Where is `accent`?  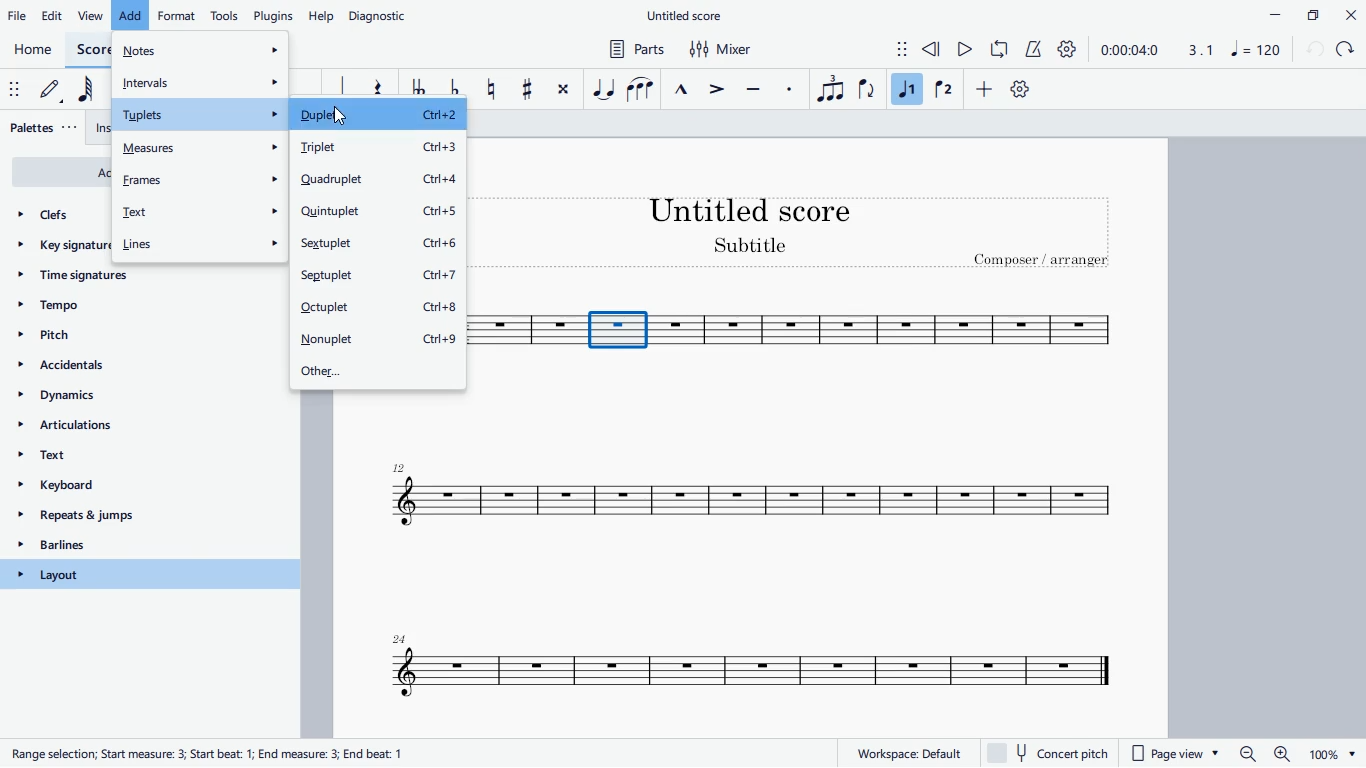 accent is located at coordinates (719, 90).